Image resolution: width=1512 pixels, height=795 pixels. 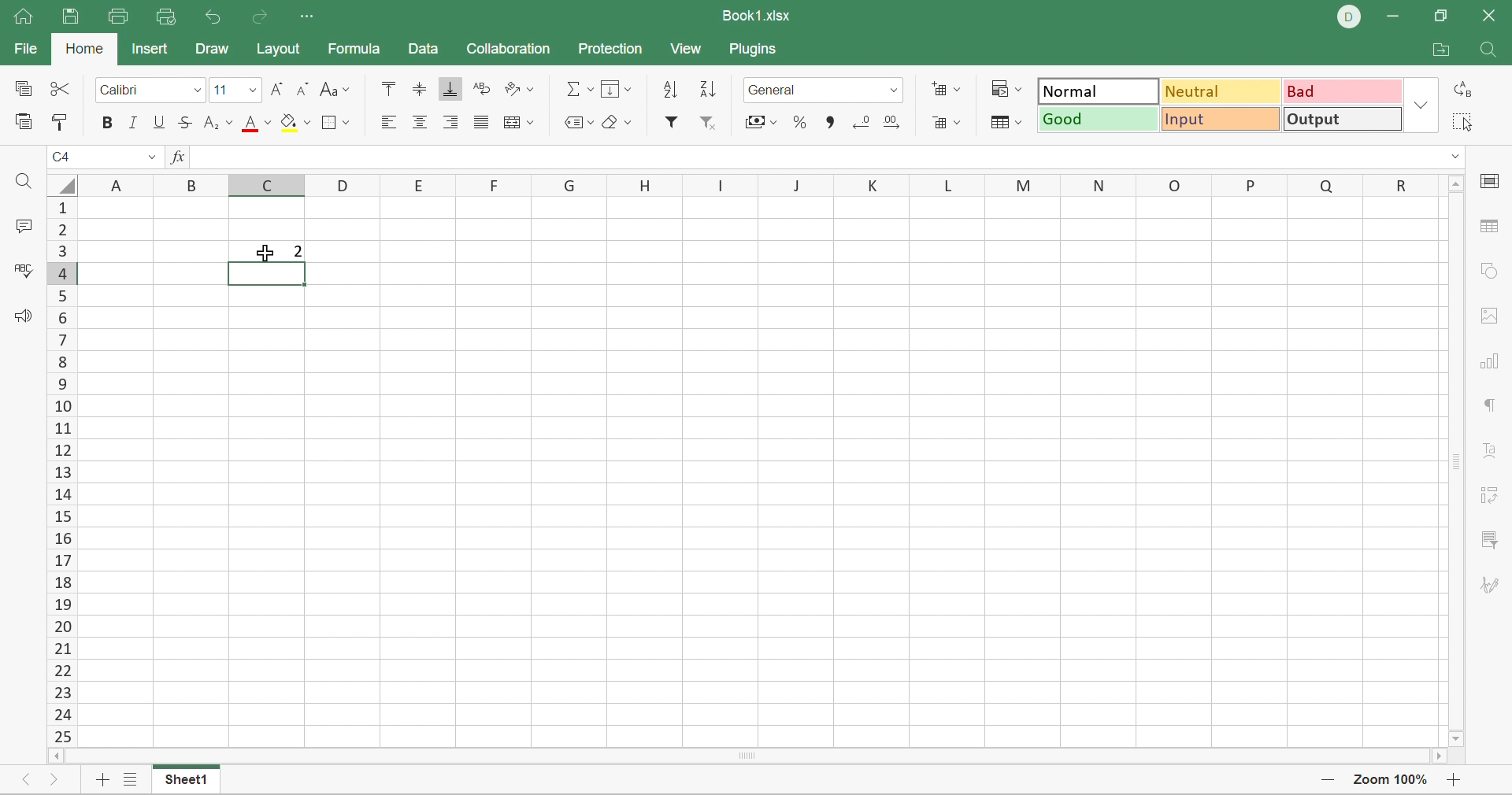 What do you see at coordinates (576, 87) in the screenshot?
I see `Summation` at bounding box center [576, 87].